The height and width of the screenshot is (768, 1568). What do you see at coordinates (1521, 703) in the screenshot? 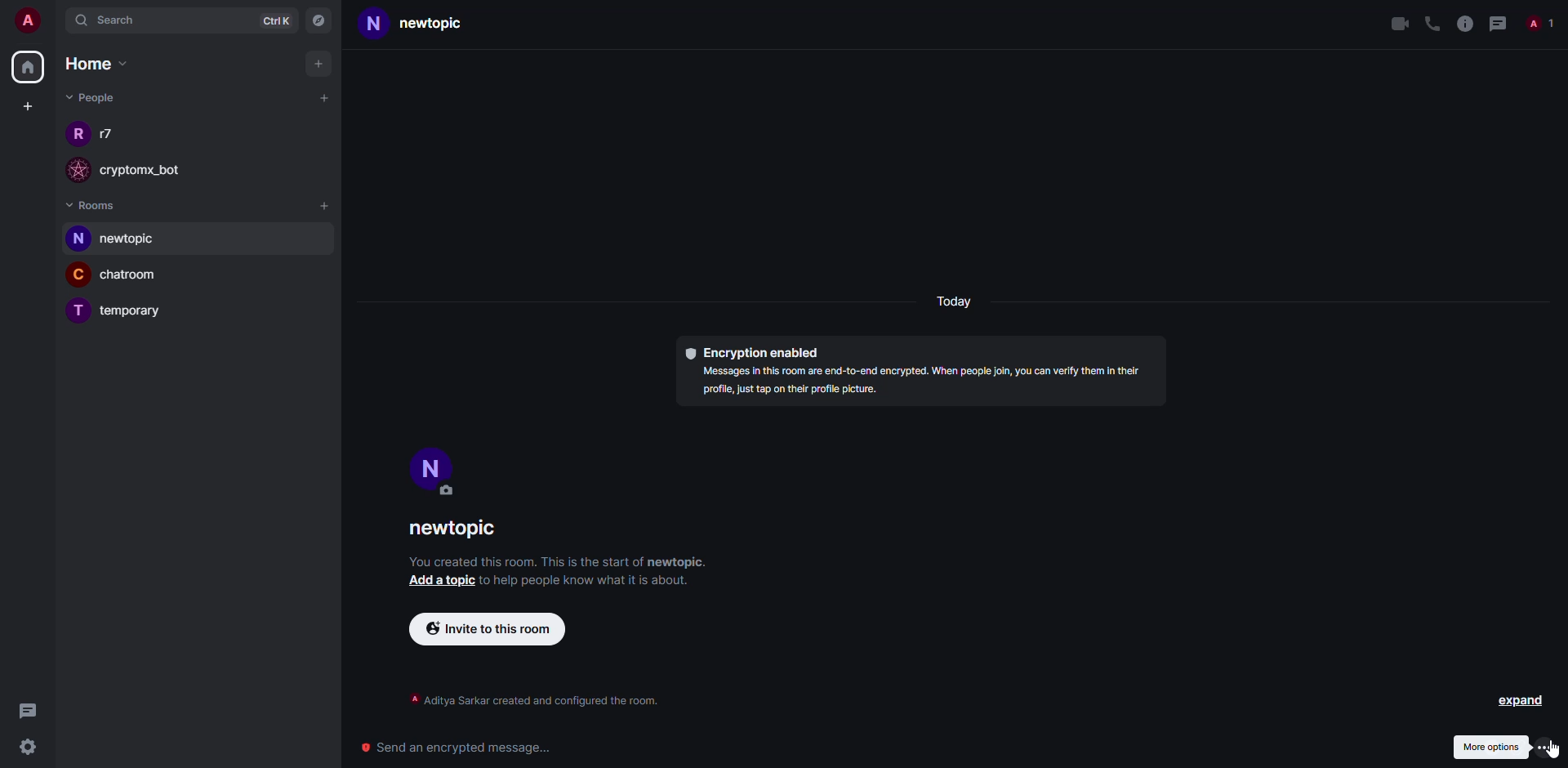
I see `expand` at bounding box center [1521, 703].